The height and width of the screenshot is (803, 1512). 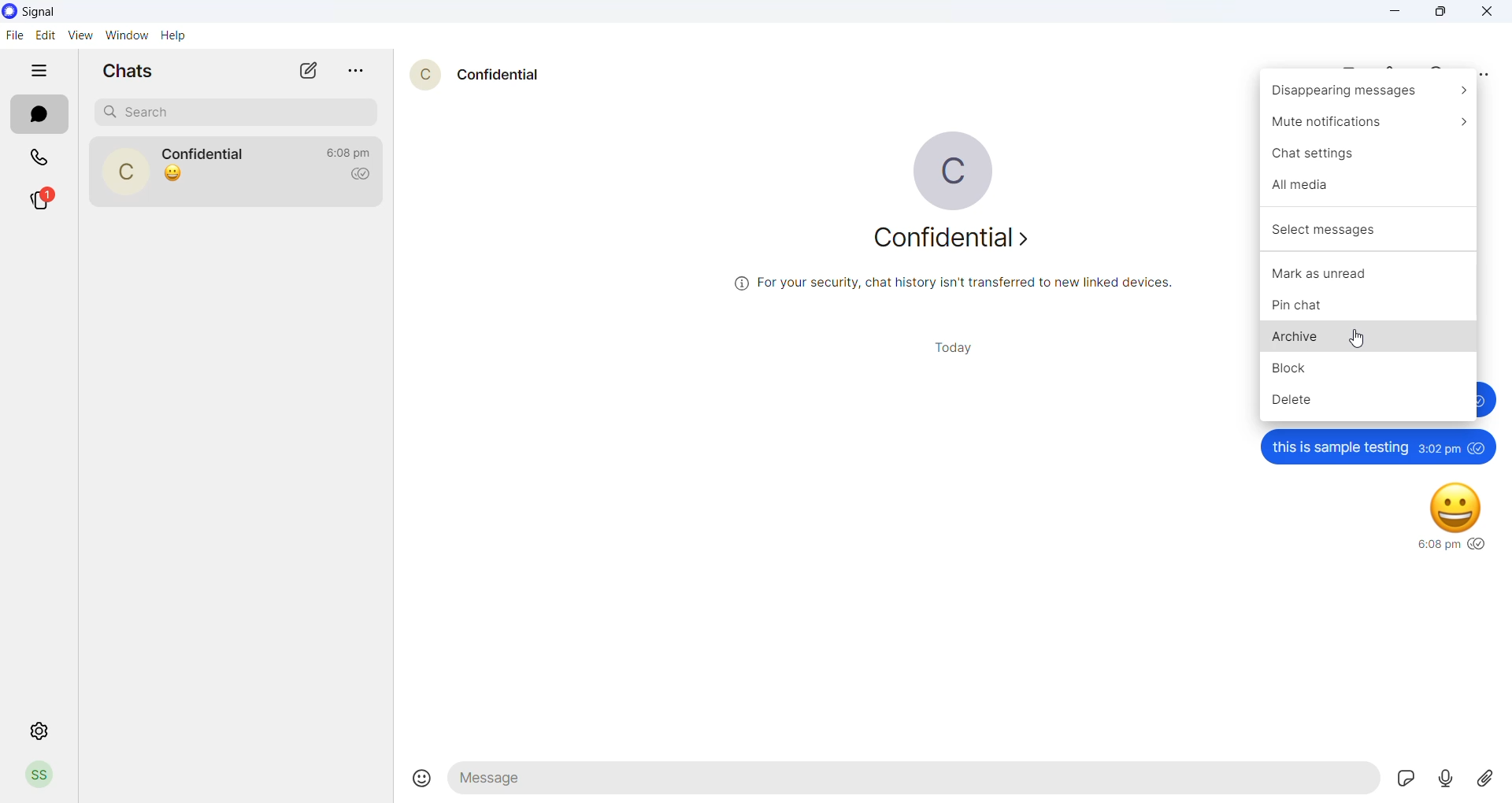 What do you see at coordinates (46, 158) in the screenshot?
I see `calls` at bounding box center [46, 158].